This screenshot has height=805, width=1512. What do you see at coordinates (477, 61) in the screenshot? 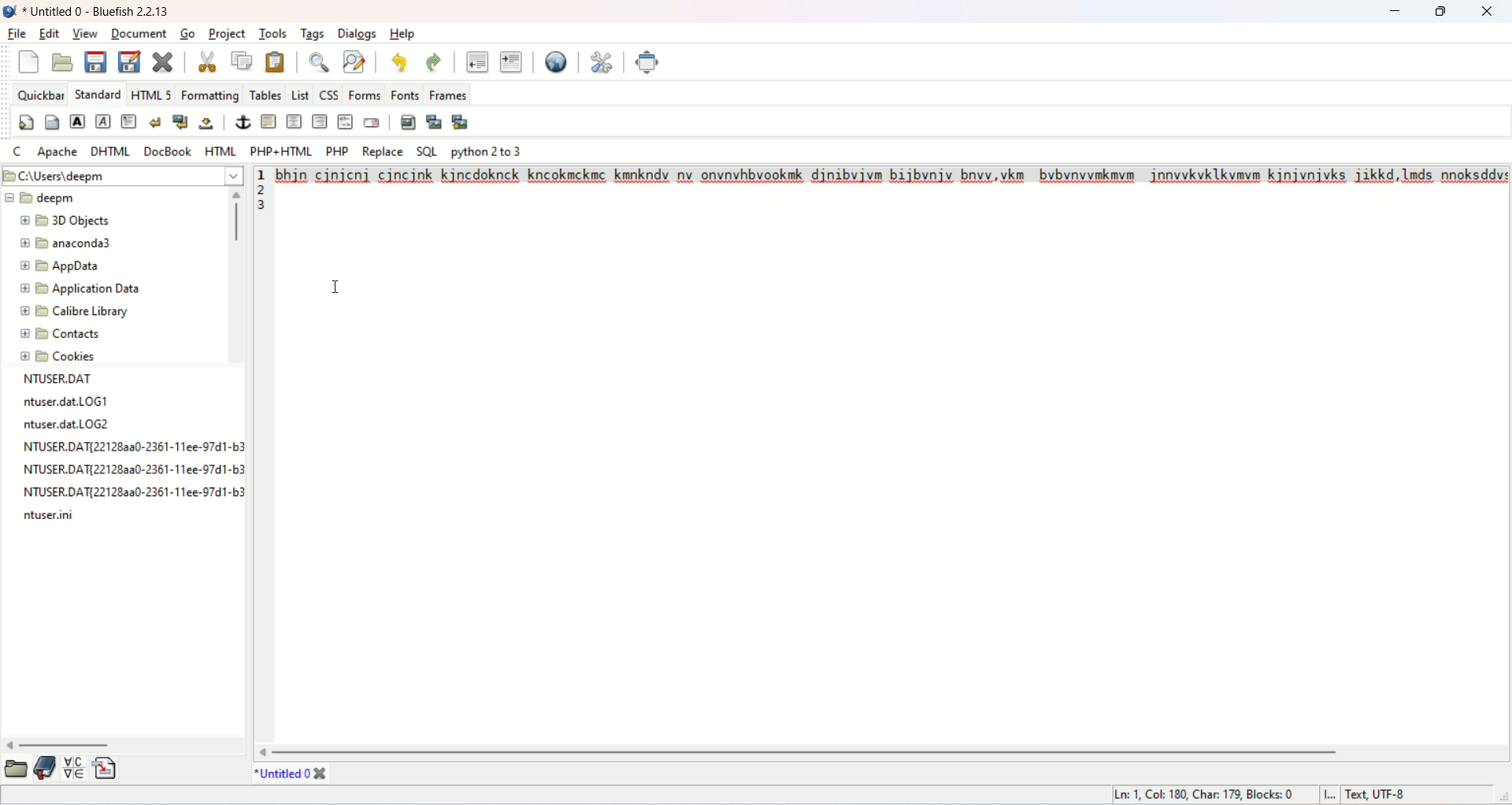
I see `unindent` at bounding box center [477, 61].